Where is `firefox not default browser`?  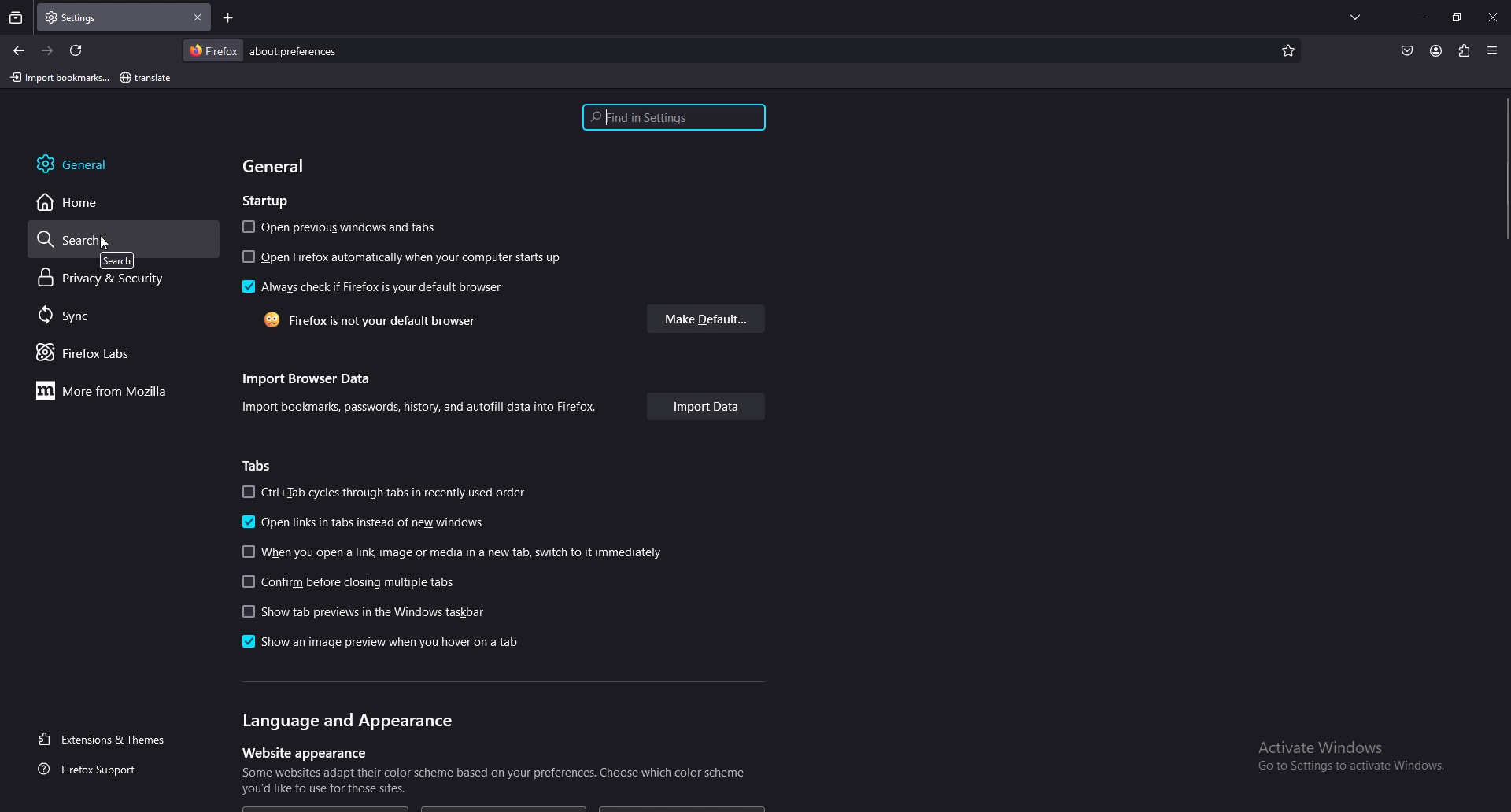 firefox not default browser is located at coordinates (373, 321).